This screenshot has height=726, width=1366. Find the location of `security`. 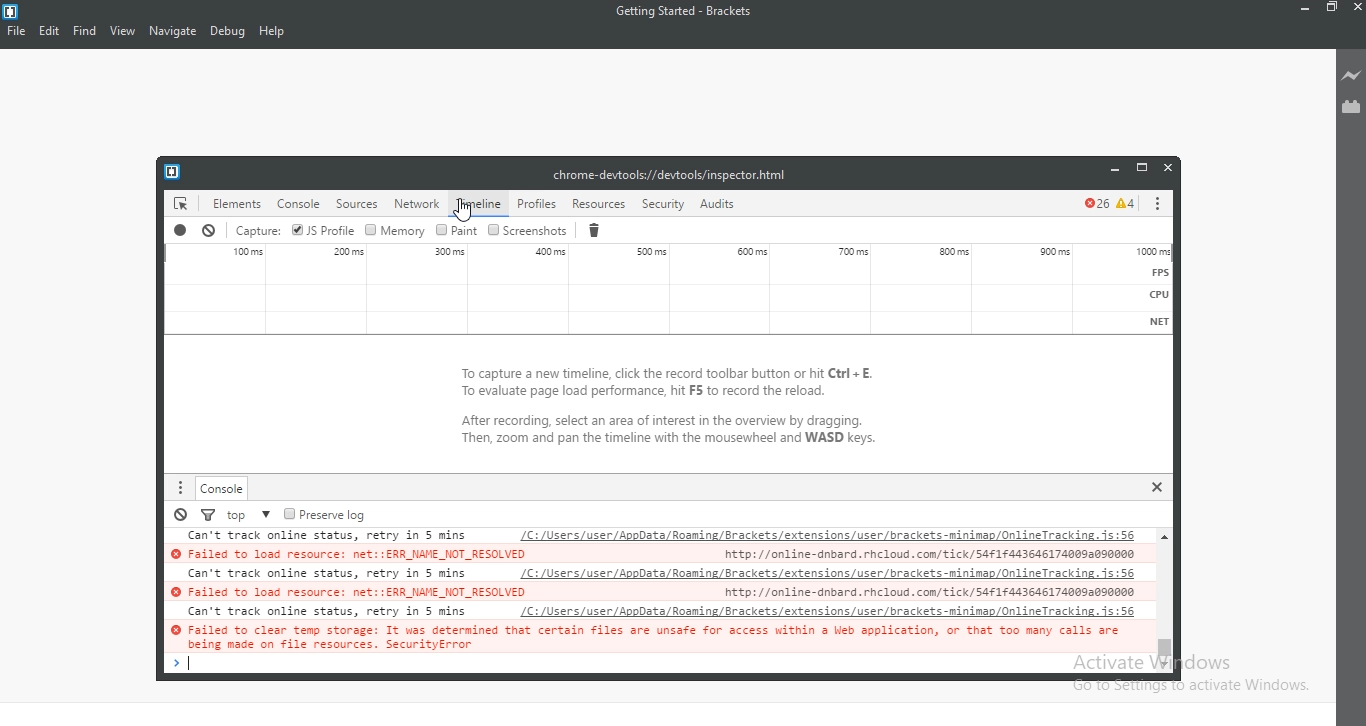

security is located at coordinates (663, 203).